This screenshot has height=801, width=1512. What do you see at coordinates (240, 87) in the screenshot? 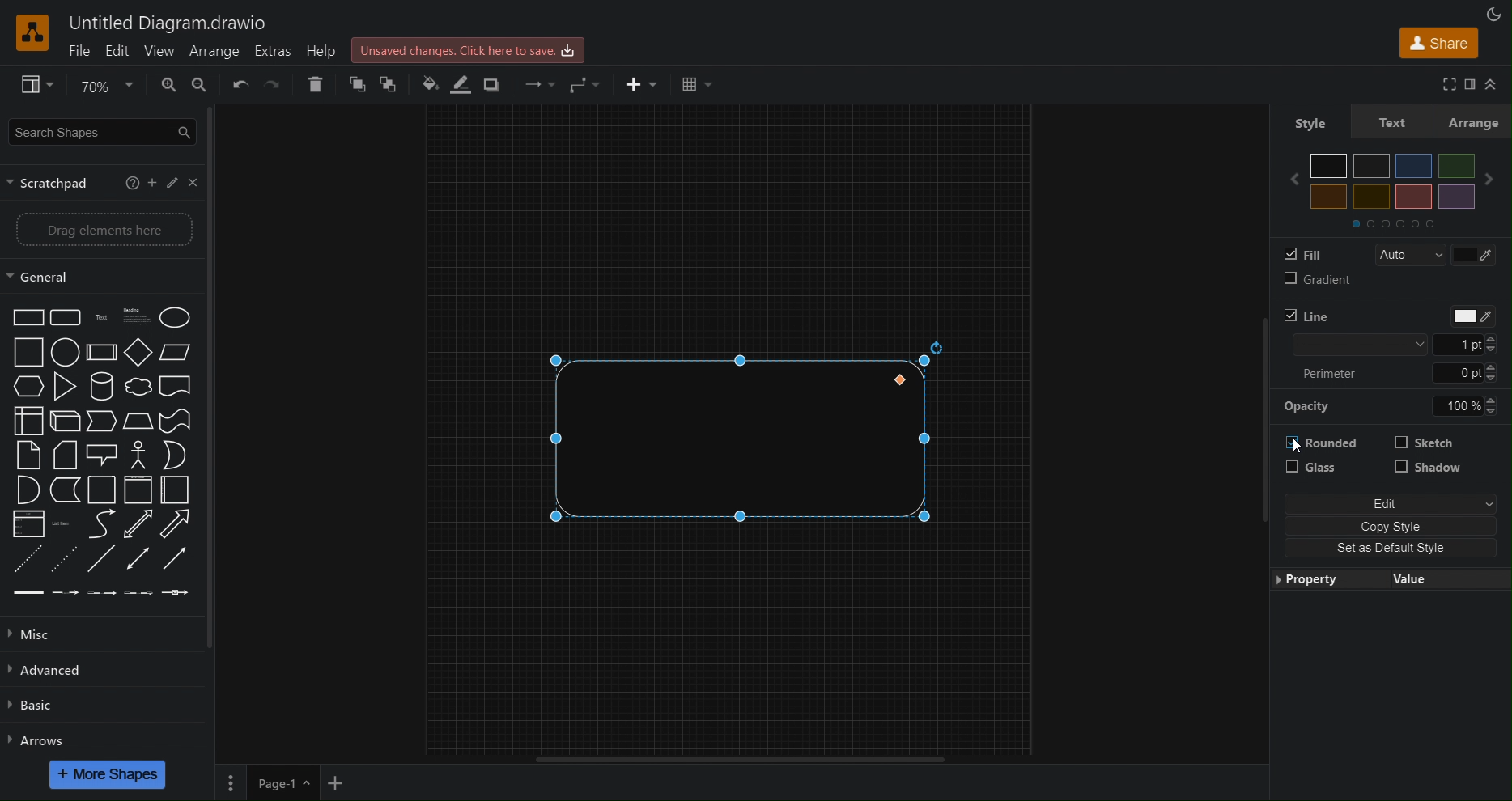
I see `Undo` at bounding box center [240, 87].